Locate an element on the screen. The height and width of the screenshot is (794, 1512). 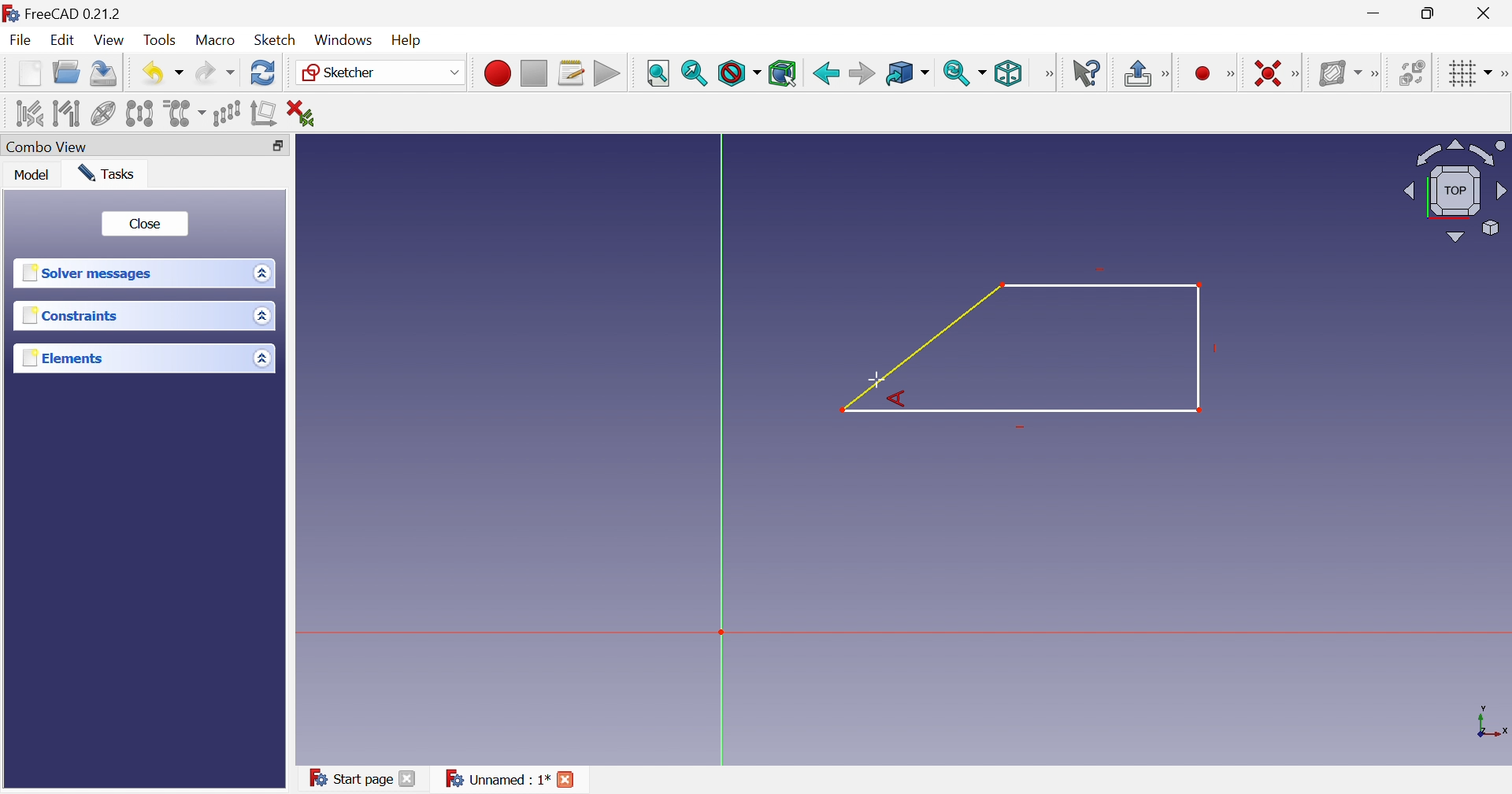
Isometric is located at coordinates (1010, 73).